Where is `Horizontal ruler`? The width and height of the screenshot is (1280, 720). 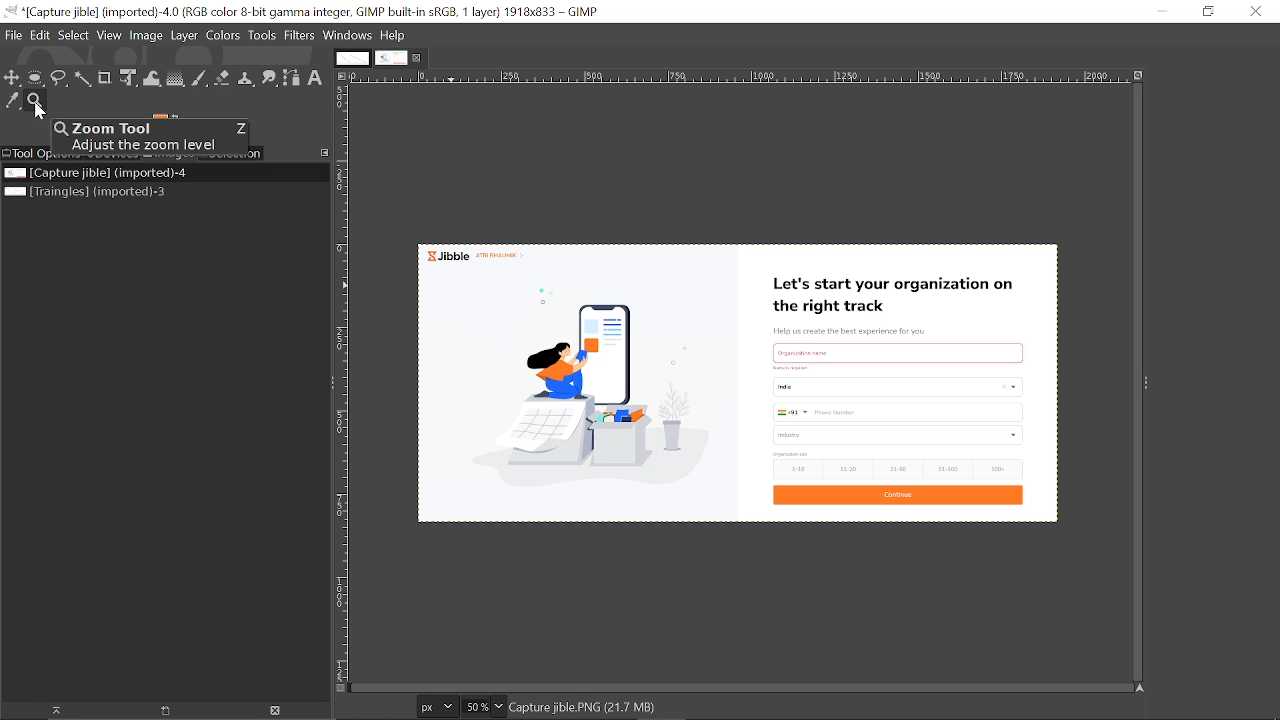 Horizontal ruler is located at coordinates (739, 76).